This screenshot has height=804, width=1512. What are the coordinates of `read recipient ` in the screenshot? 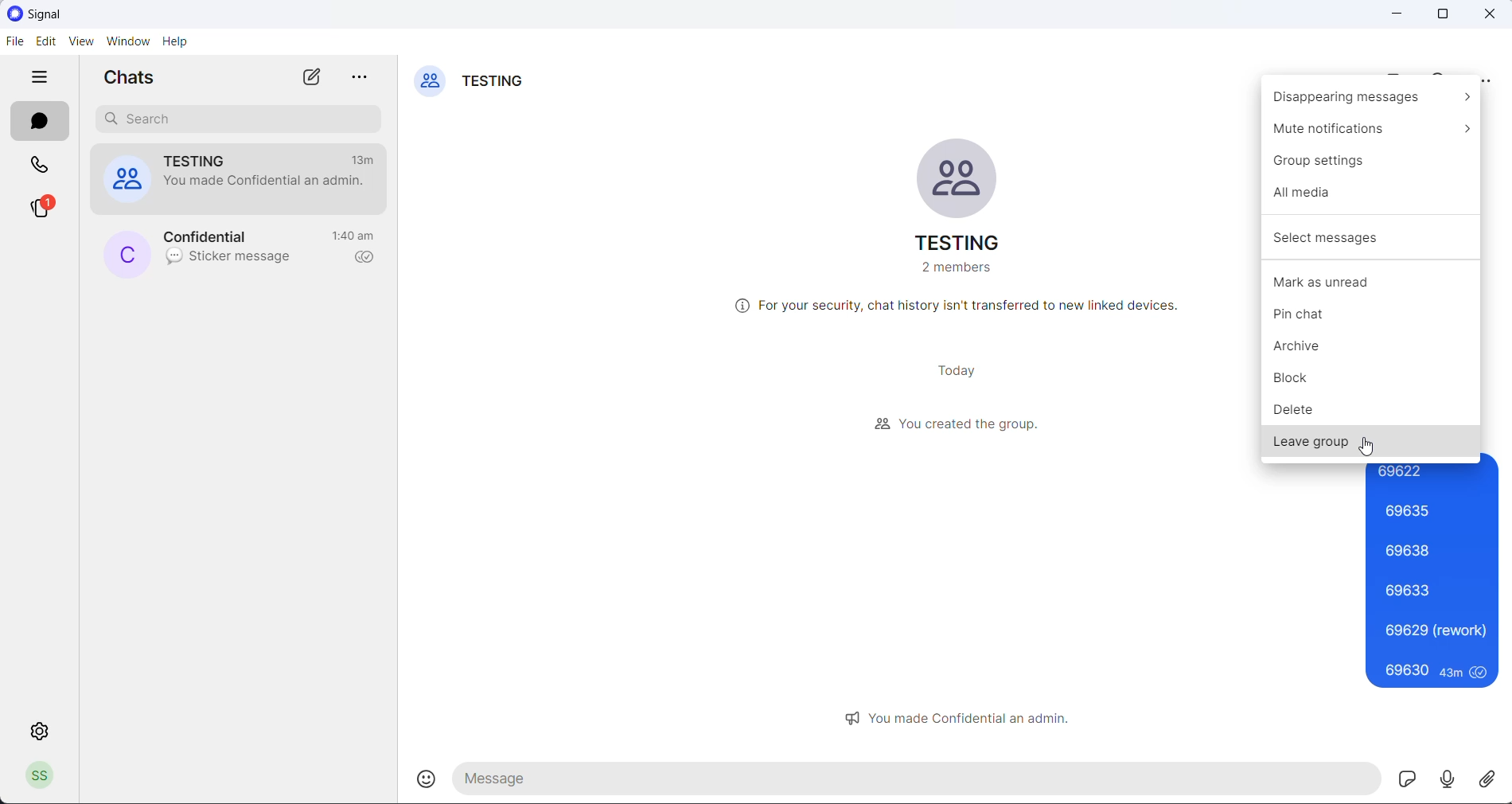 It's located at (365, 259).